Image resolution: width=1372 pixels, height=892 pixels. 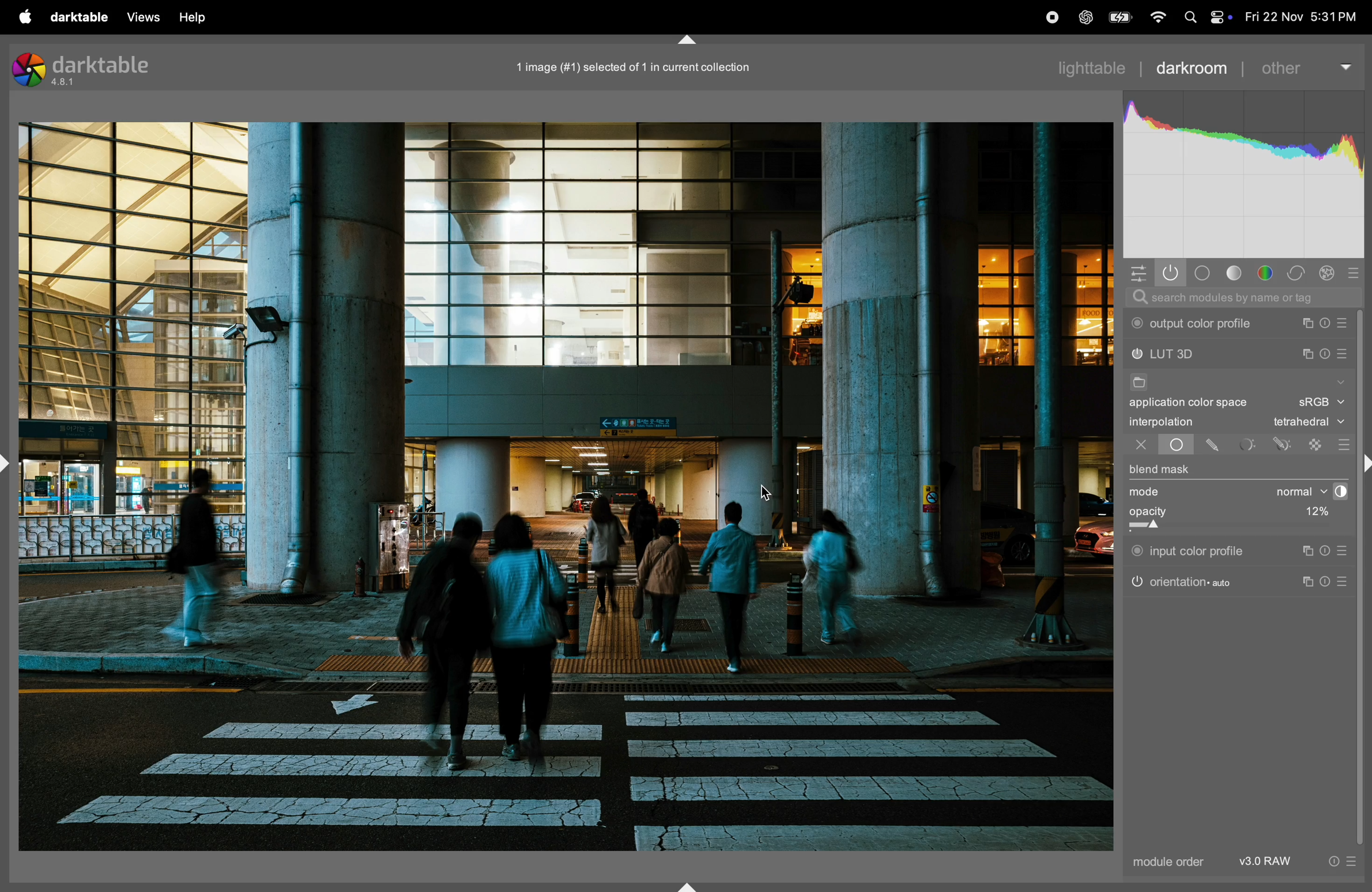 I want to click on raster mask, so click(x=1317, y=444).